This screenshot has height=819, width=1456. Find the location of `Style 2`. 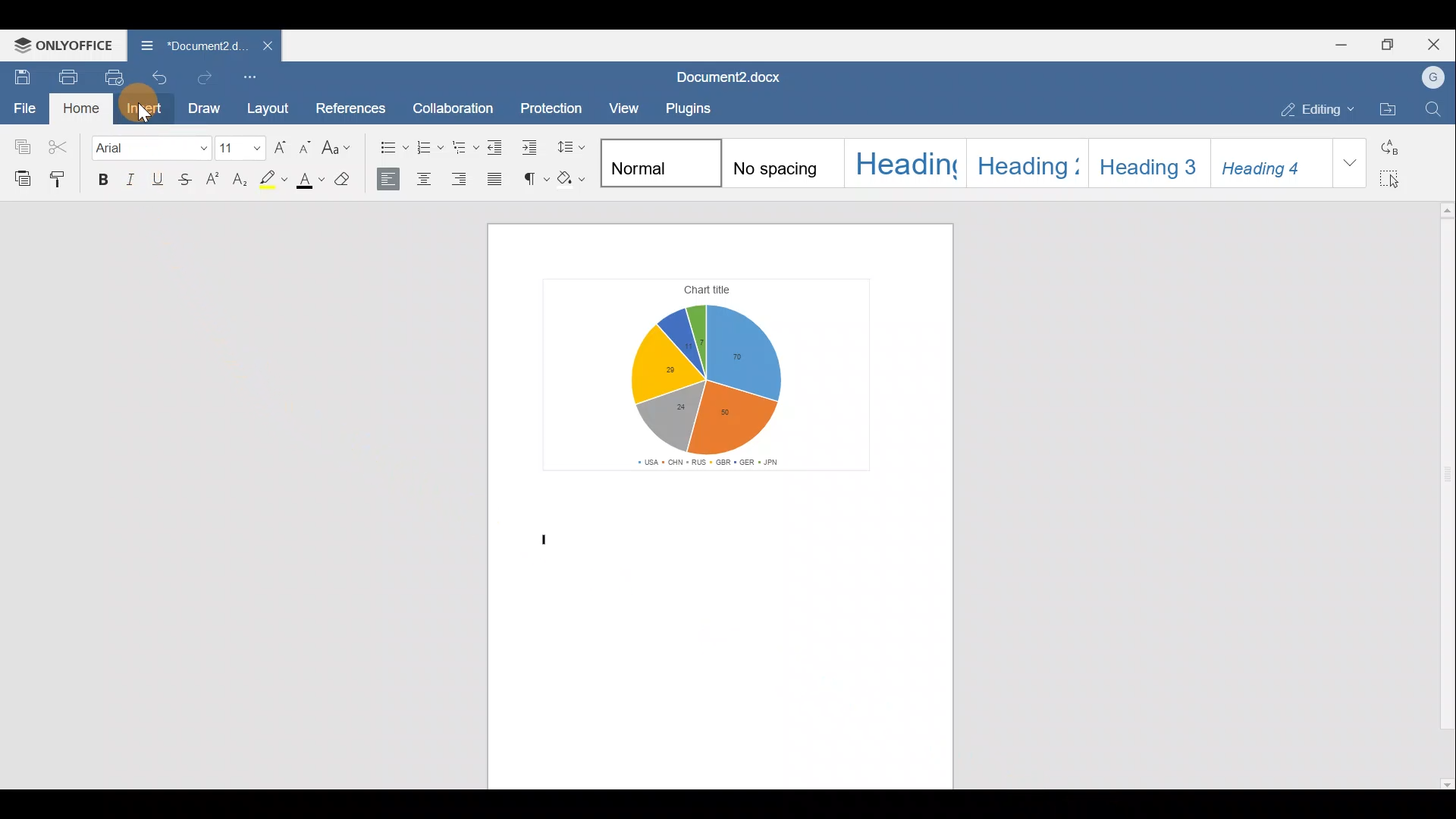

Style 2 is located at coordinates (786, 164).